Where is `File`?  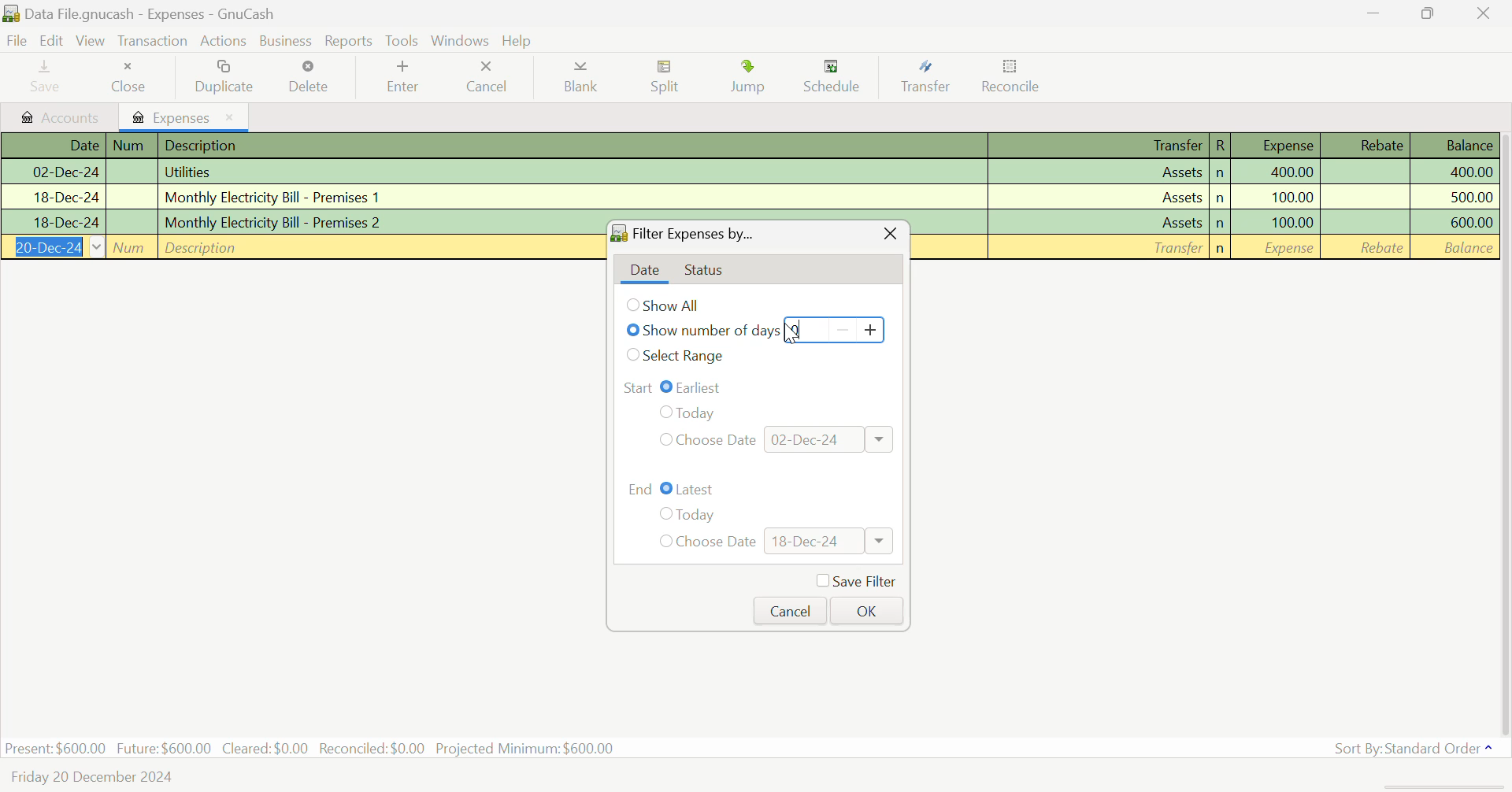
File is located at coordinates (17, 41).